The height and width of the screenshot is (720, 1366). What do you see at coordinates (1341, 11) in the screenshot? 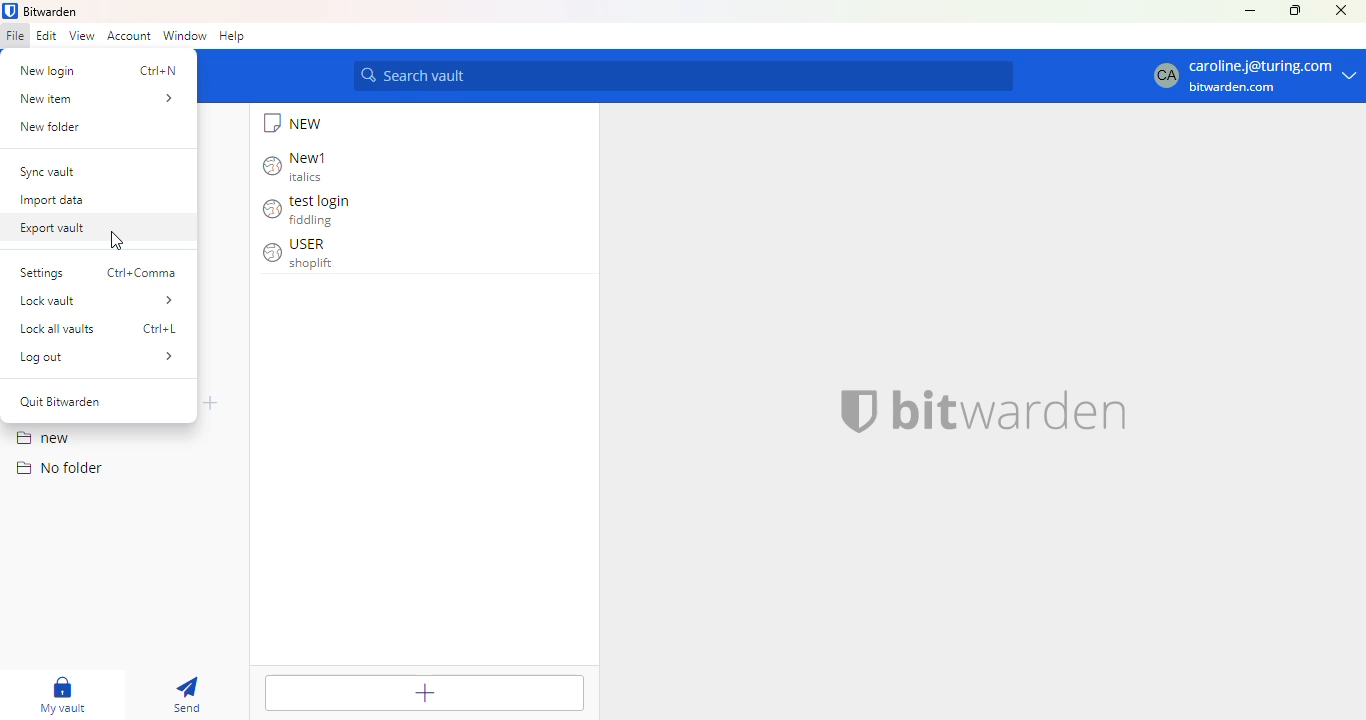
I see `close` at bounding box center [1341, 11].